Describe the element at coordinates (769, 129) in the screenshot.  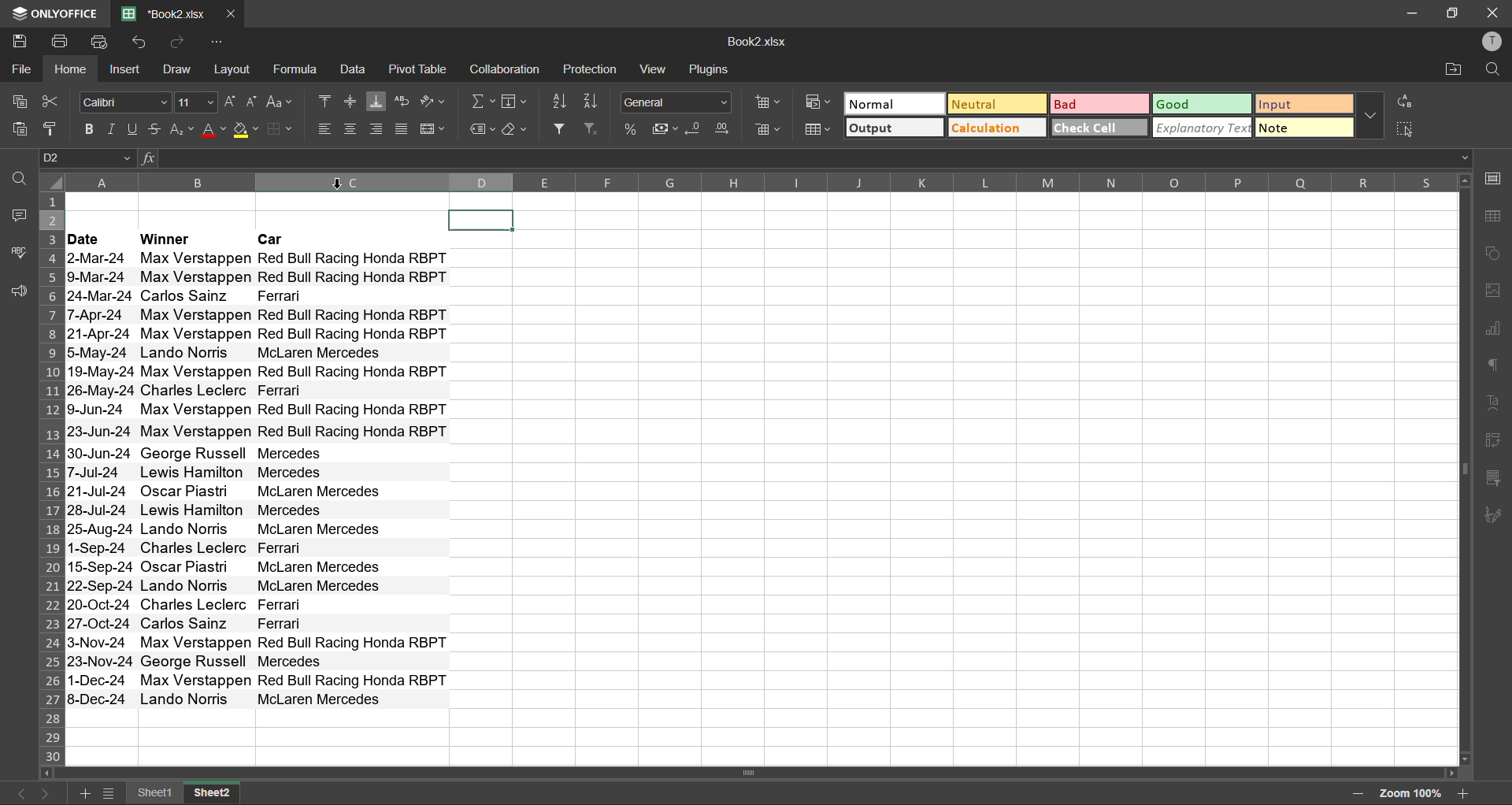
I see `remove cells` at that location.